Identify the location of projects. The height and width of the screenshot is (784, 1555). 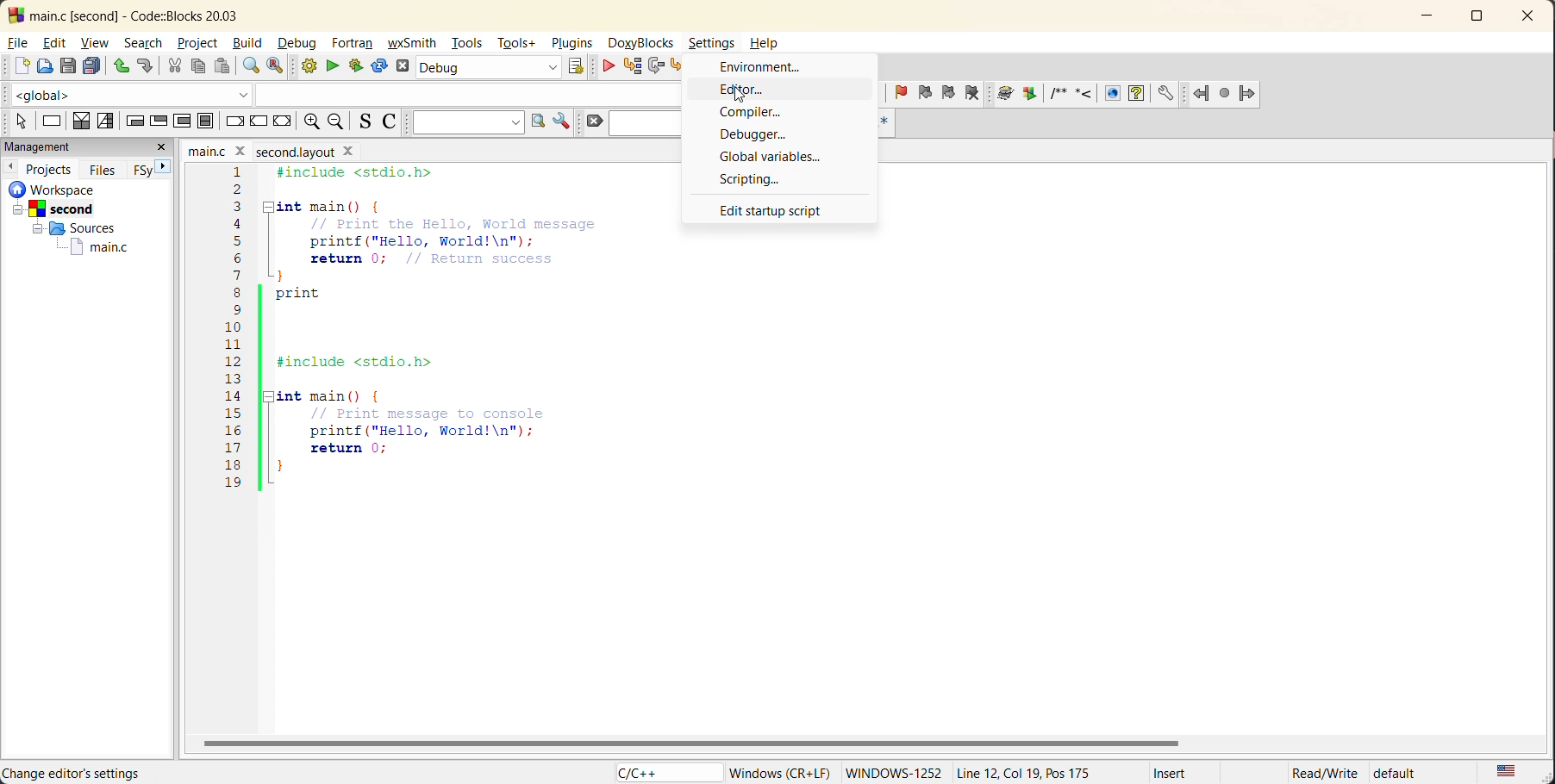
(50, 169).